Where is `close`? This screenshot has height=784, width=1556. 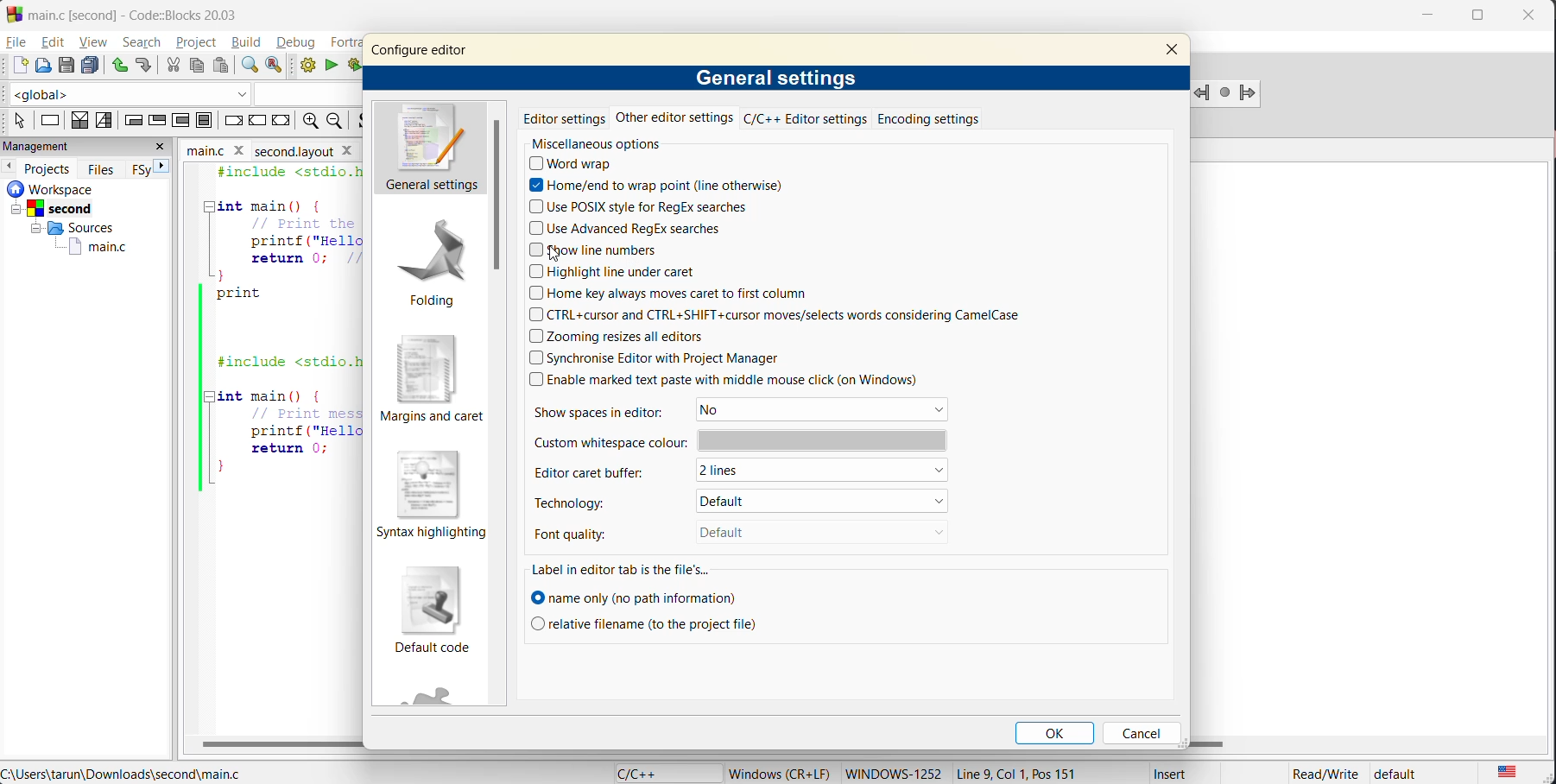
close is located at coordinates (1176, 54).